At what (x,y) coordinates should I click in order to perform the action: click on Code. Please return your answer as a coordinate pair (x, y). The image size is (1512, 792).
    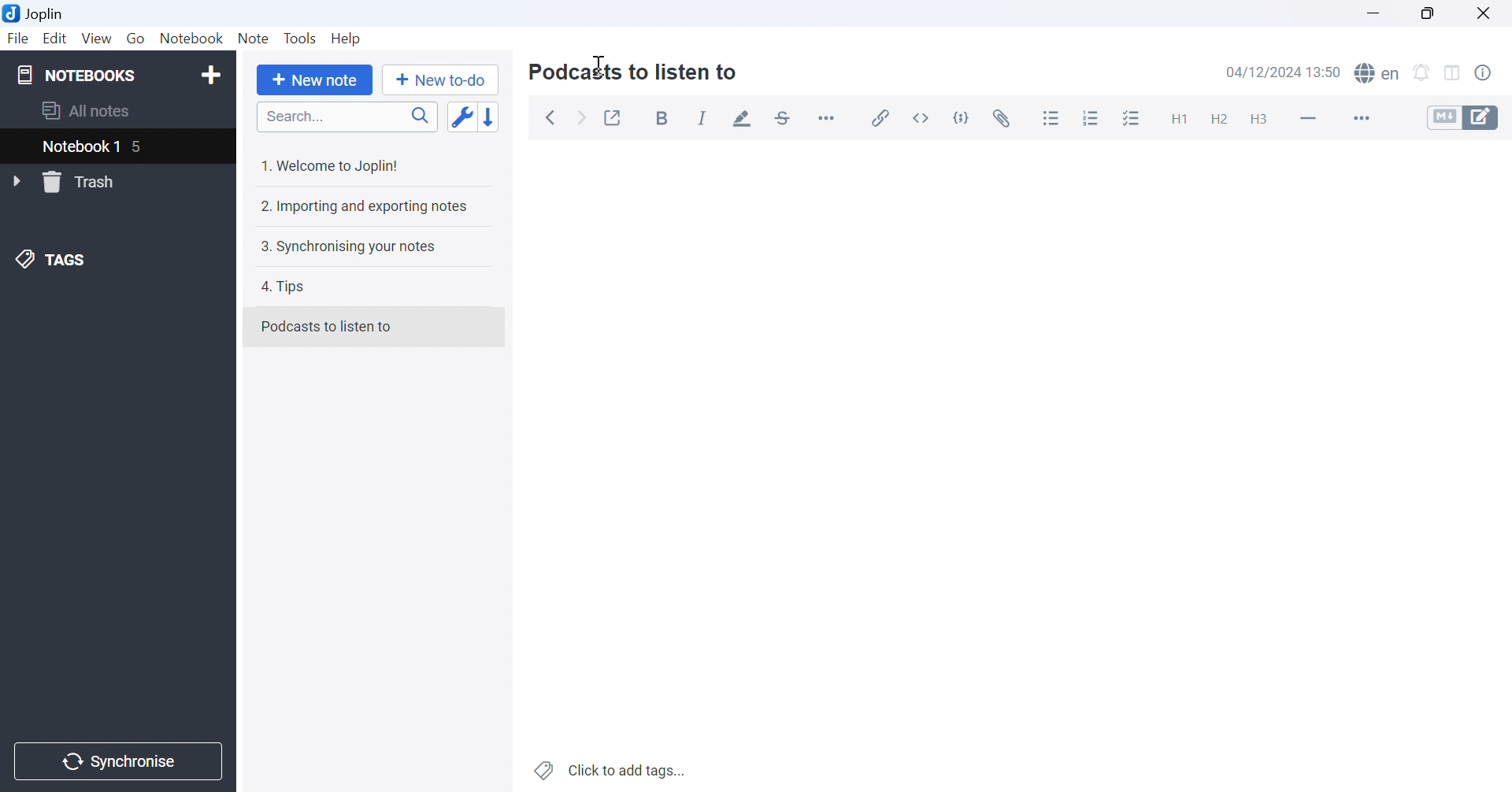
    Looking at the image, I should click on (965, 117).